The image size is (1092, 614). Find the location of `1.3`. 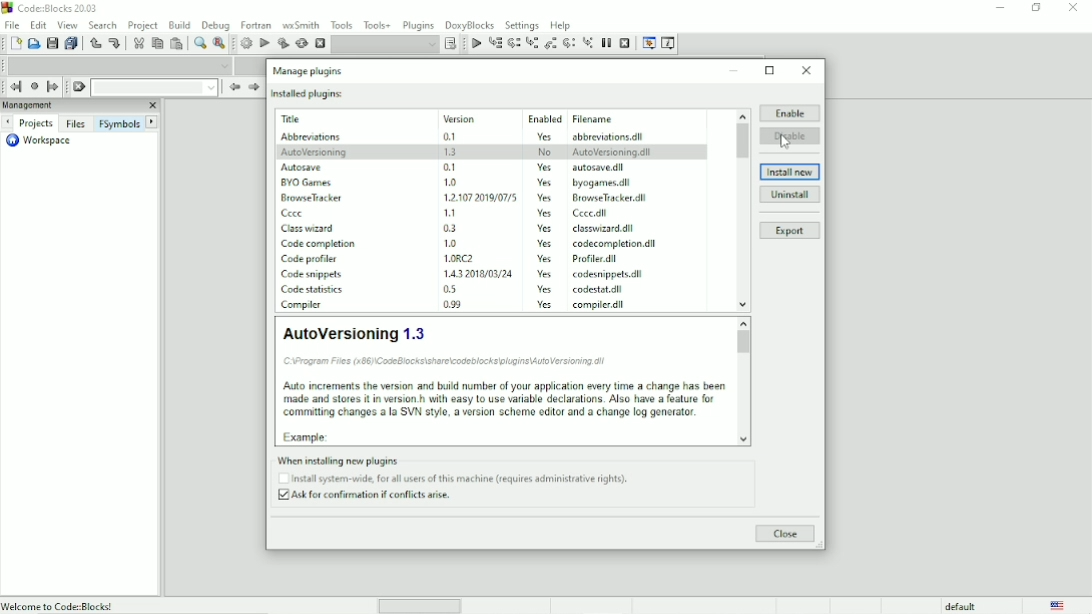

1.3 is located at coordinates (451, 151).